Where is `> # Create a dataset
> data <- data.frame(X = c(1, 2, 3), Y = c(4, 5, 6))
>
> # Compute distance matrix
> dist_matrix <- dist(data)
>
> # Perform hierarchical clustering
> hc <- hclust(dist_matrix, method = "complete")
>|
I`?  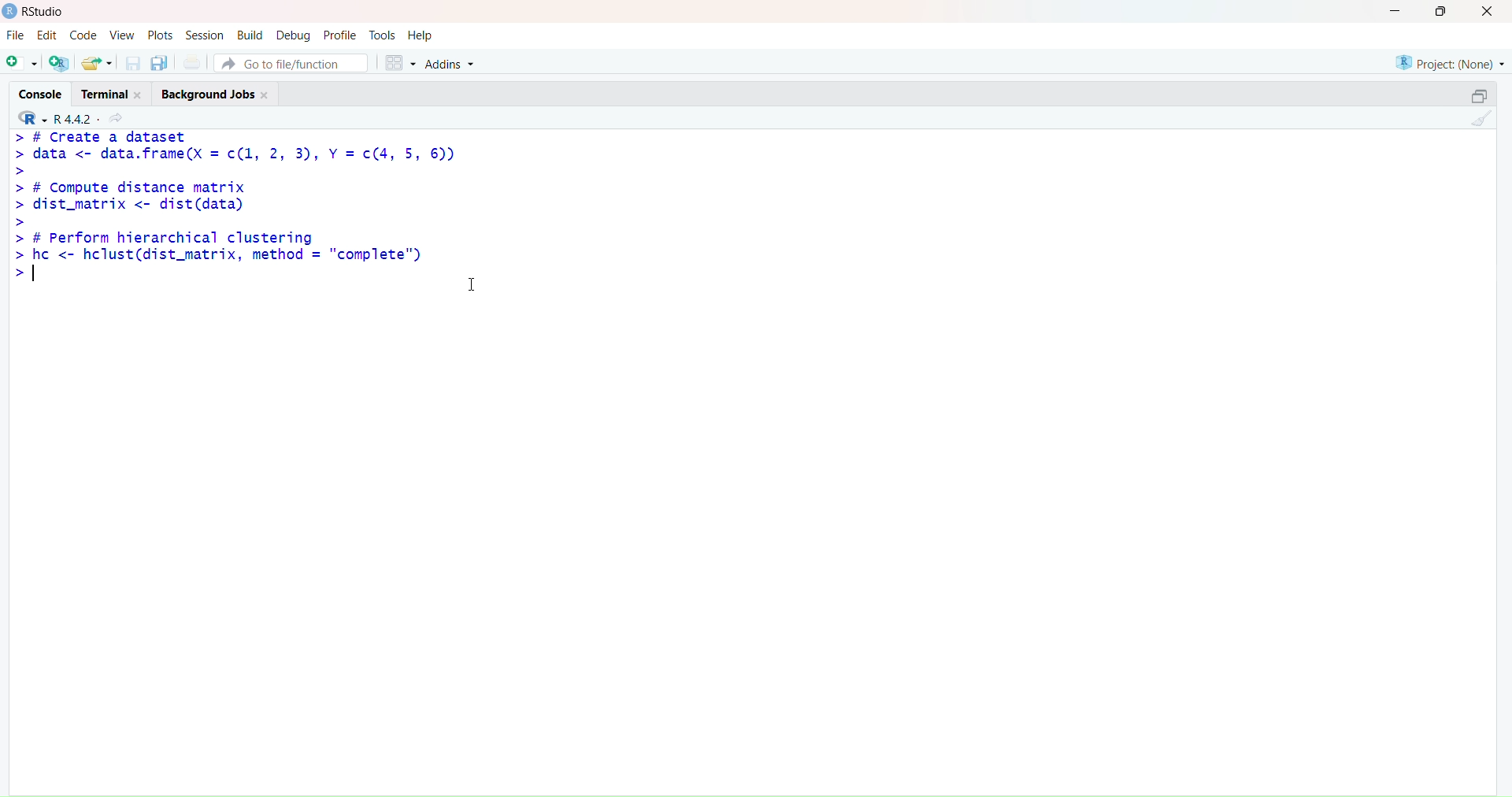 > # Create a dataset
> data <- data.frame(X = c(1, 2, 3), Y = c(4, 5, 6))
>
> # Compute distance matrix
> dist_matrix <- dist(data)
>
> # Perform hierarchical clustering
> hc <- hclust(dist_matrix, method = "complete")
>|
I is located at coordinates (250, 225).